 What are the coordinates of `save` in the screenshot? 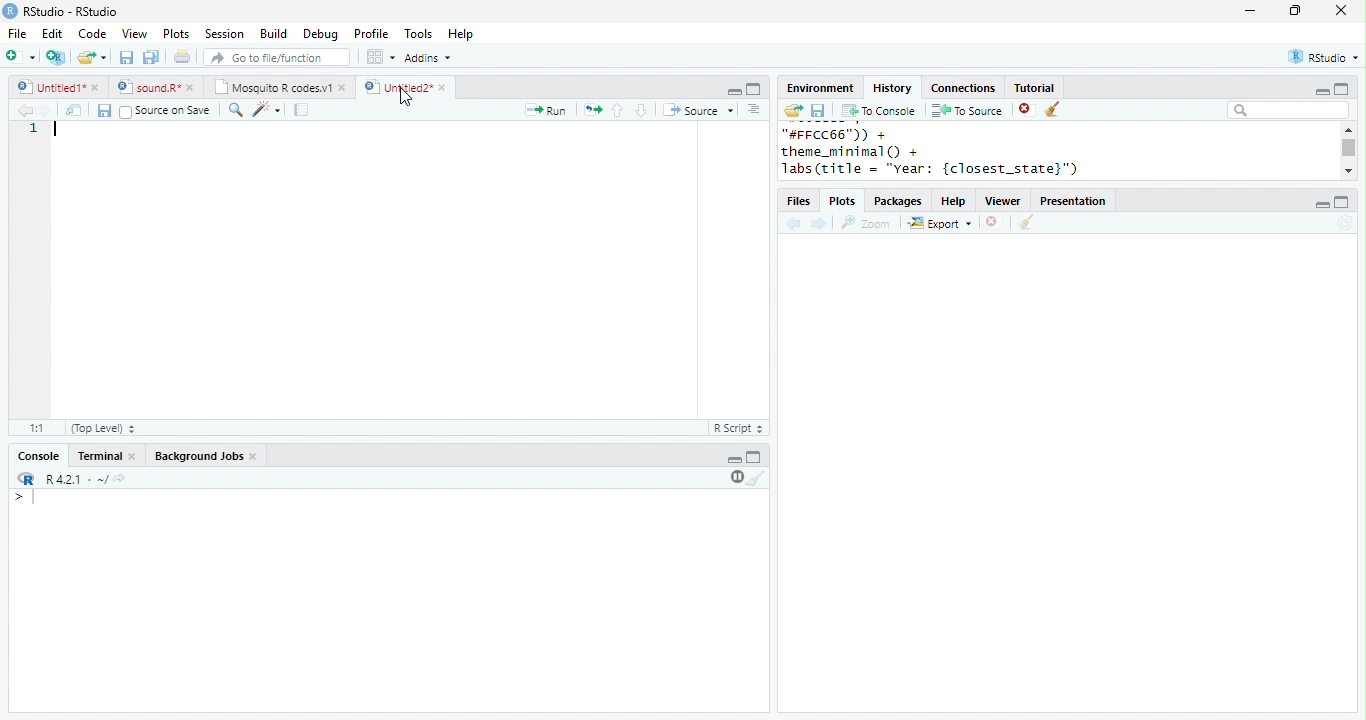 It's located at (126, 57).